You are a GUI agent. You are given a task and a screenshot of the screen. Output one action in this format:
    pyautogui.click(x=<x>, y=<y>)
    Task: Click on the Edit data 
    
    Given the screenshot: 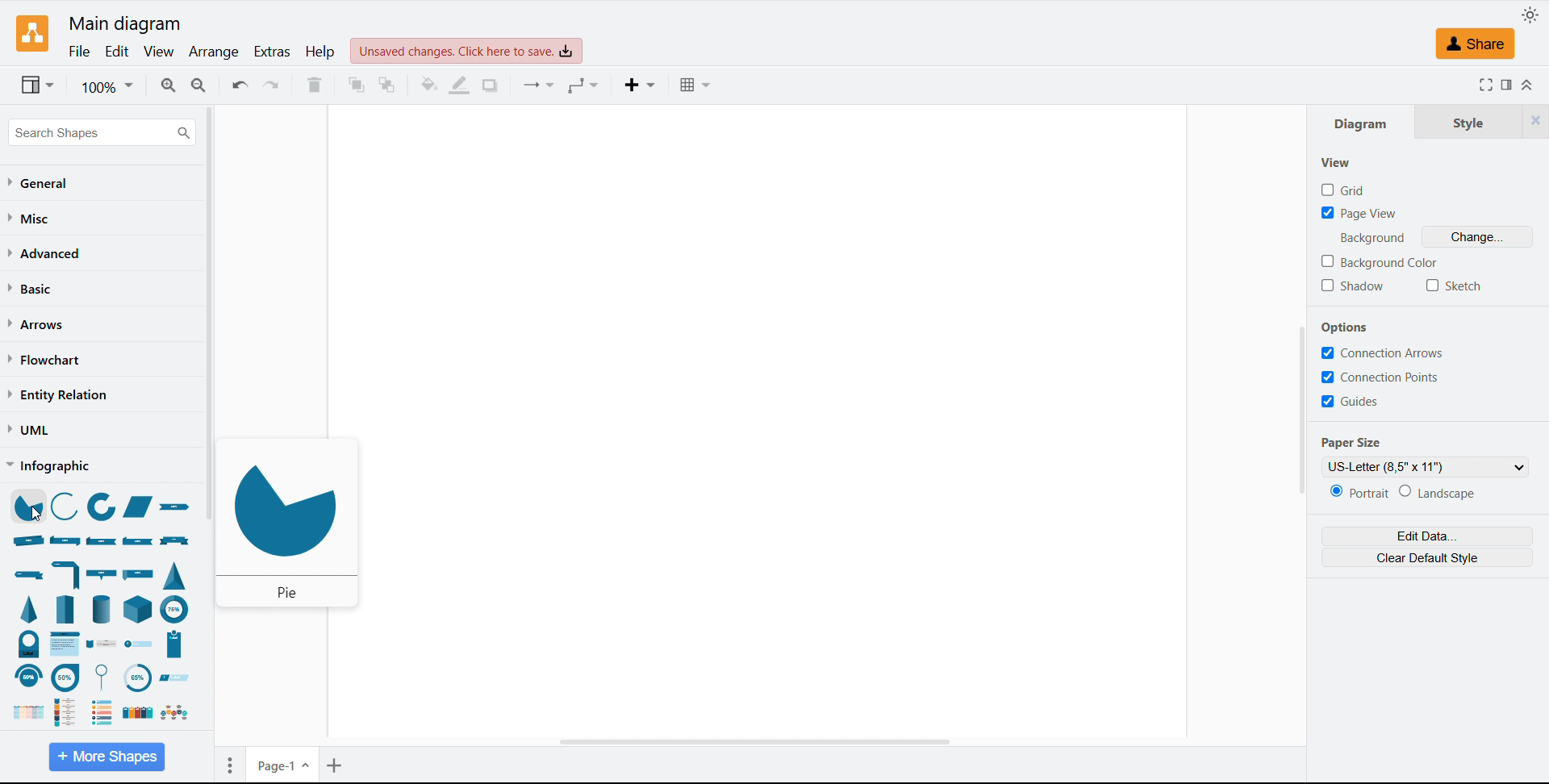 What is the action you would take?
    pyautogui.click(x=1428, y=536)
    